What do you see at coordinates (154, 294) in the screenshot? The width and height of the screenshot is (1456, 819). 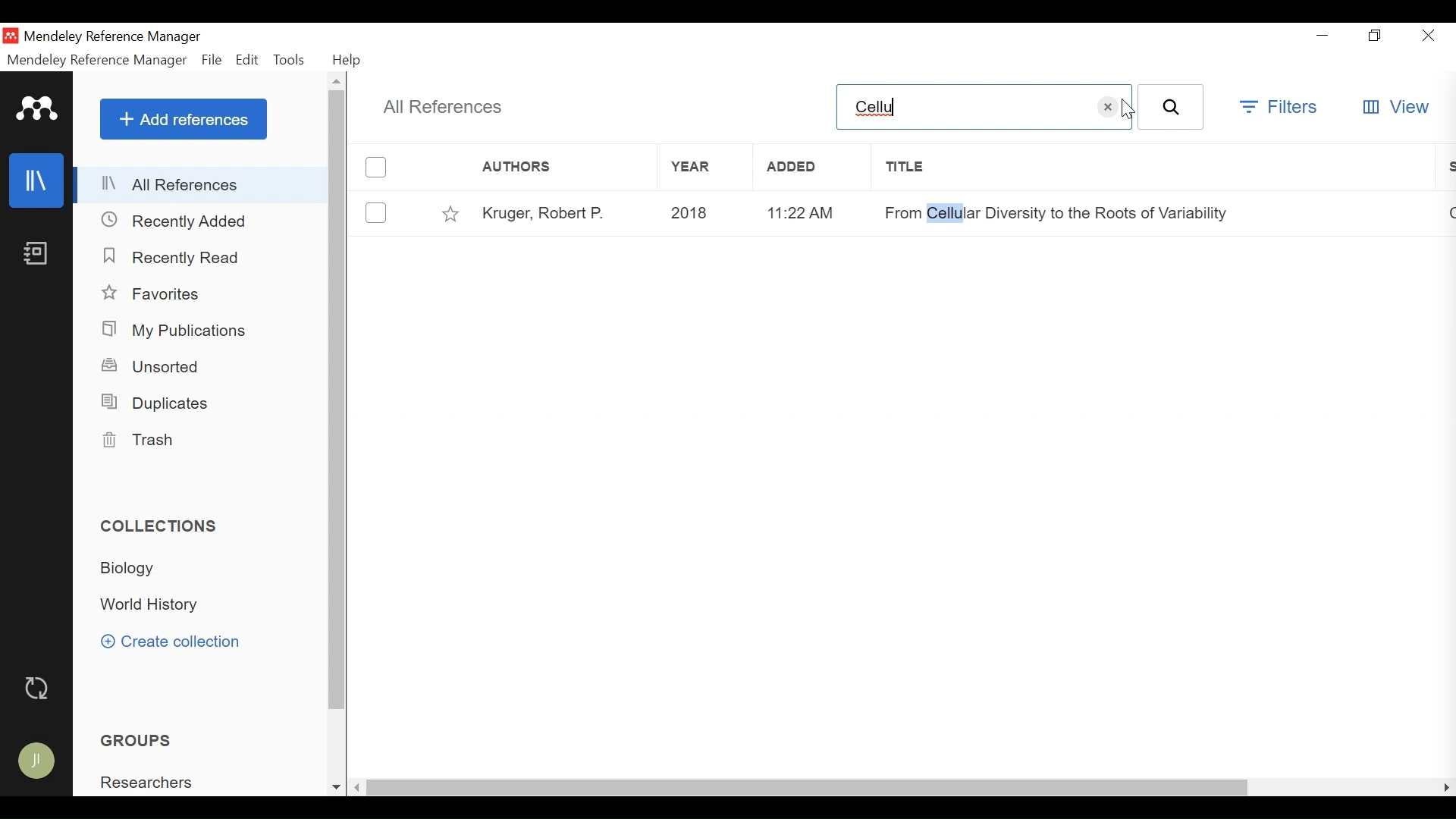 I see `Favorites` at bounding box center [154, 294].